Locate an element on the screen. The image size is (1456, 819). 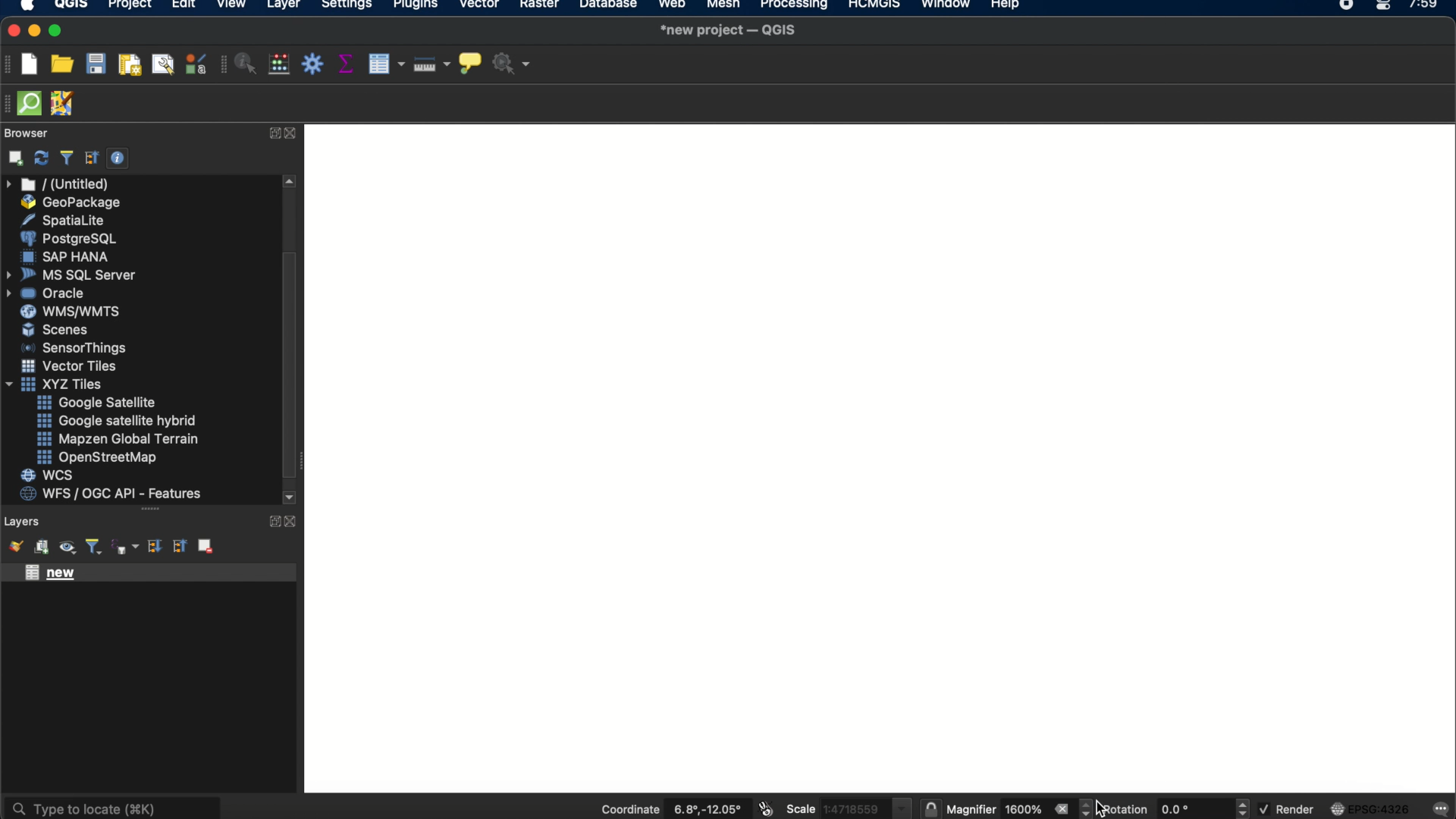
recorder icon is located at coordinates (1348, 6).